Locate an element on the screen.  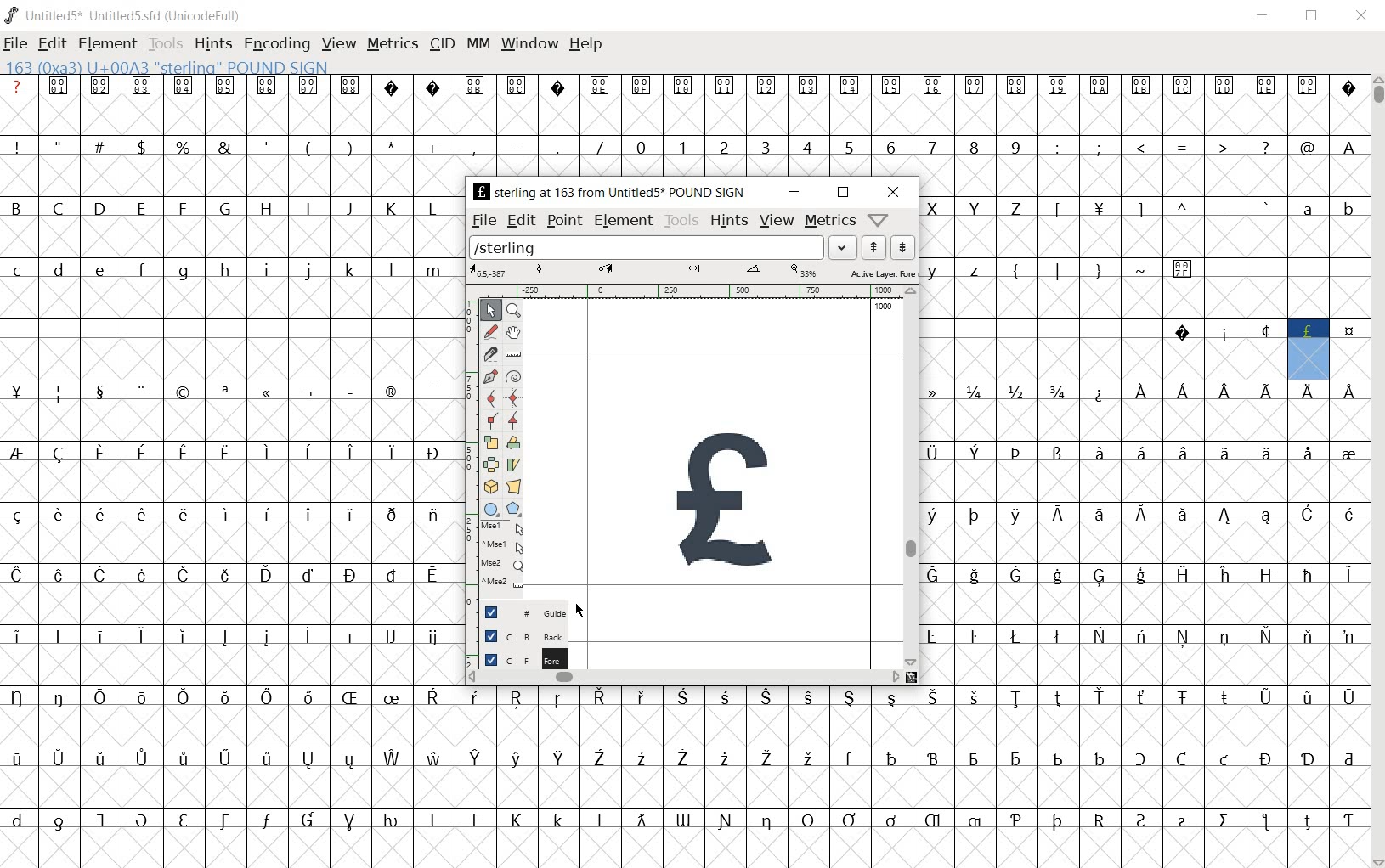
Symbol is located at coordinates (1102, 87).